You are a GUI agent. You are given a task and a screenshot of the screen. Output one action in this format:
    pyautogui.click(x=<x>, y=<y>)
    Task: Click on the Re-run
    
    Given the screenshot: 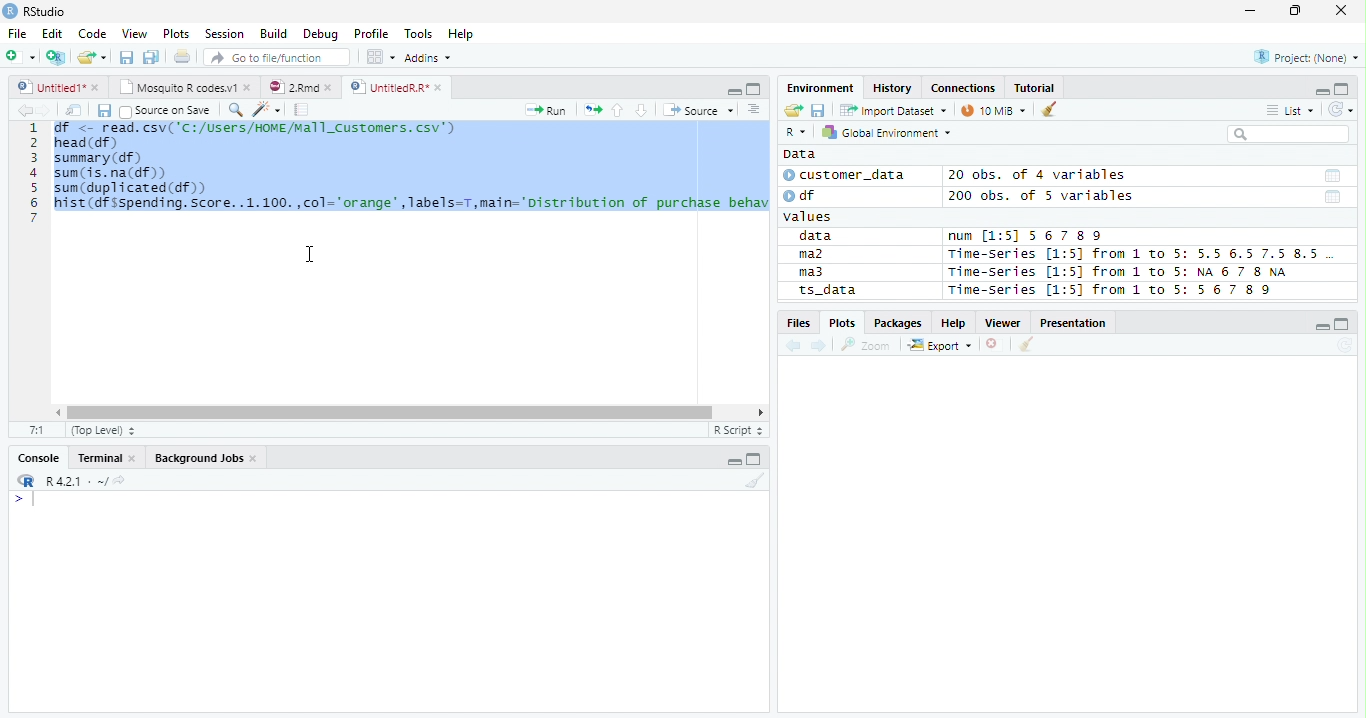 What is the action you would take?
    pyautogui.click(x=592, y=111)
    